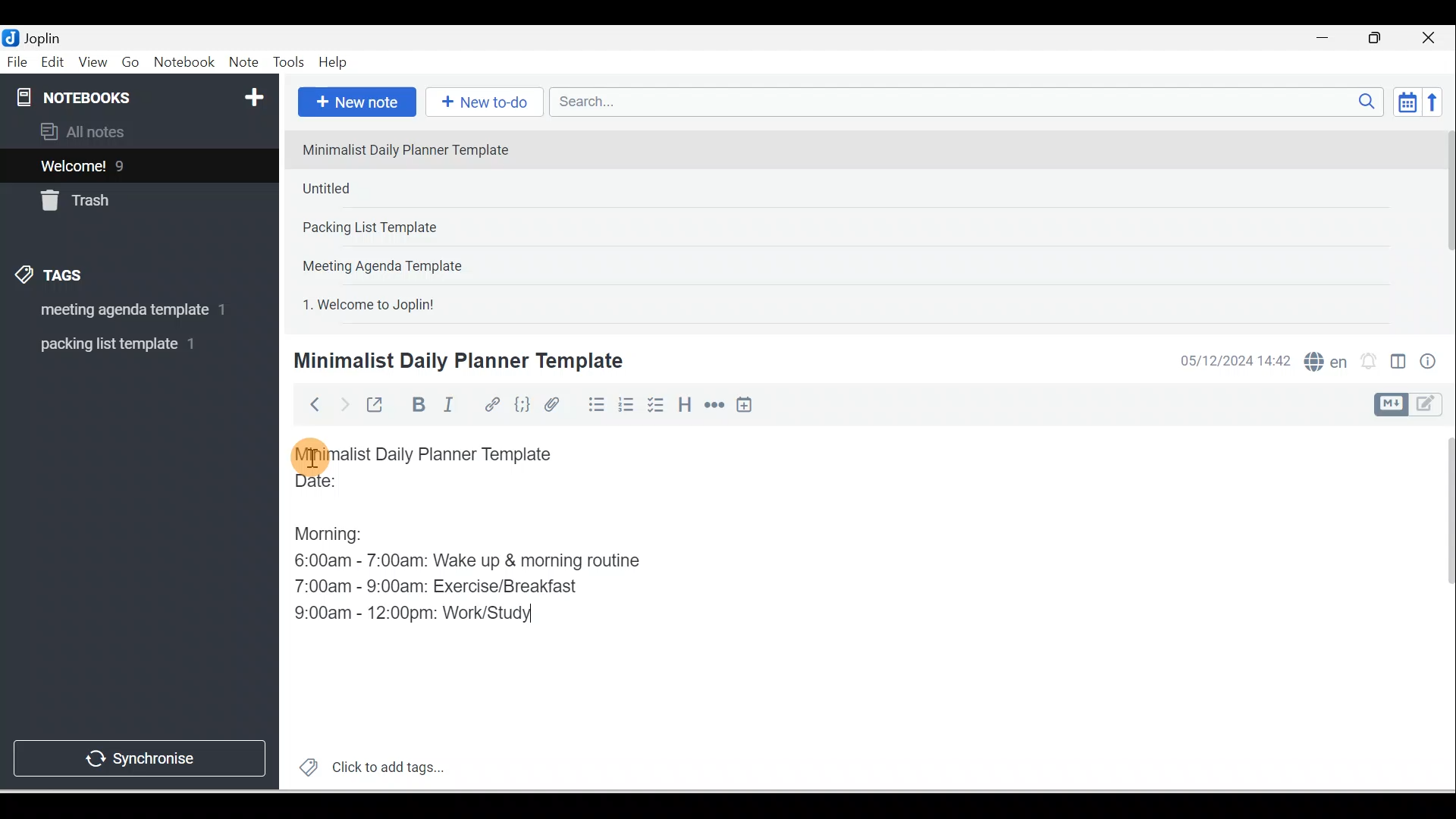 This screenshot has width=1456, height=819. Describe the element at coordinates (654, 405) in the screenshot. I see `Checkbox` at that location.